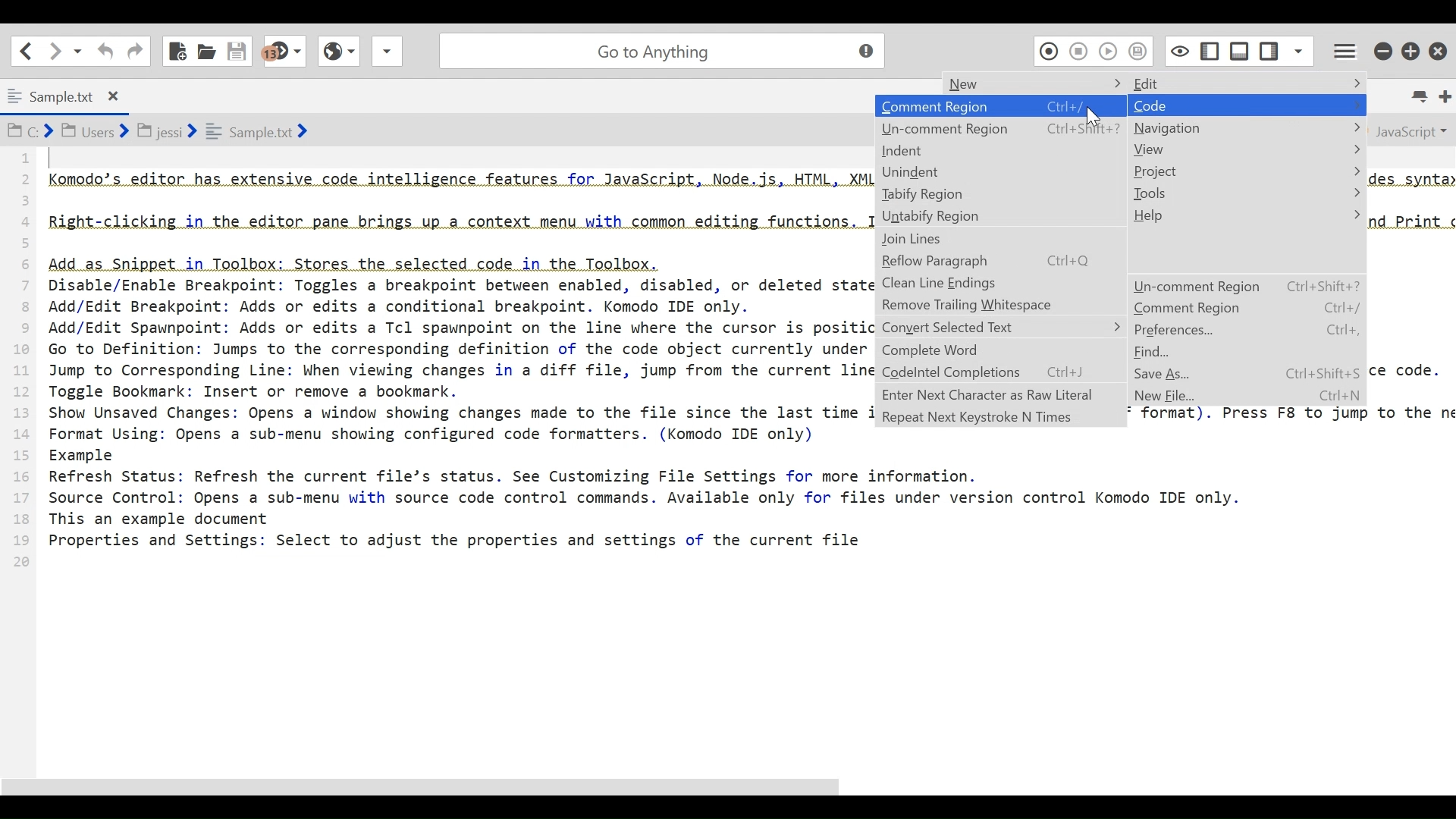  What do you see at coordinates (1155, 353) in the screenshot?
I see `Find` at bounding box center [1155, 353].